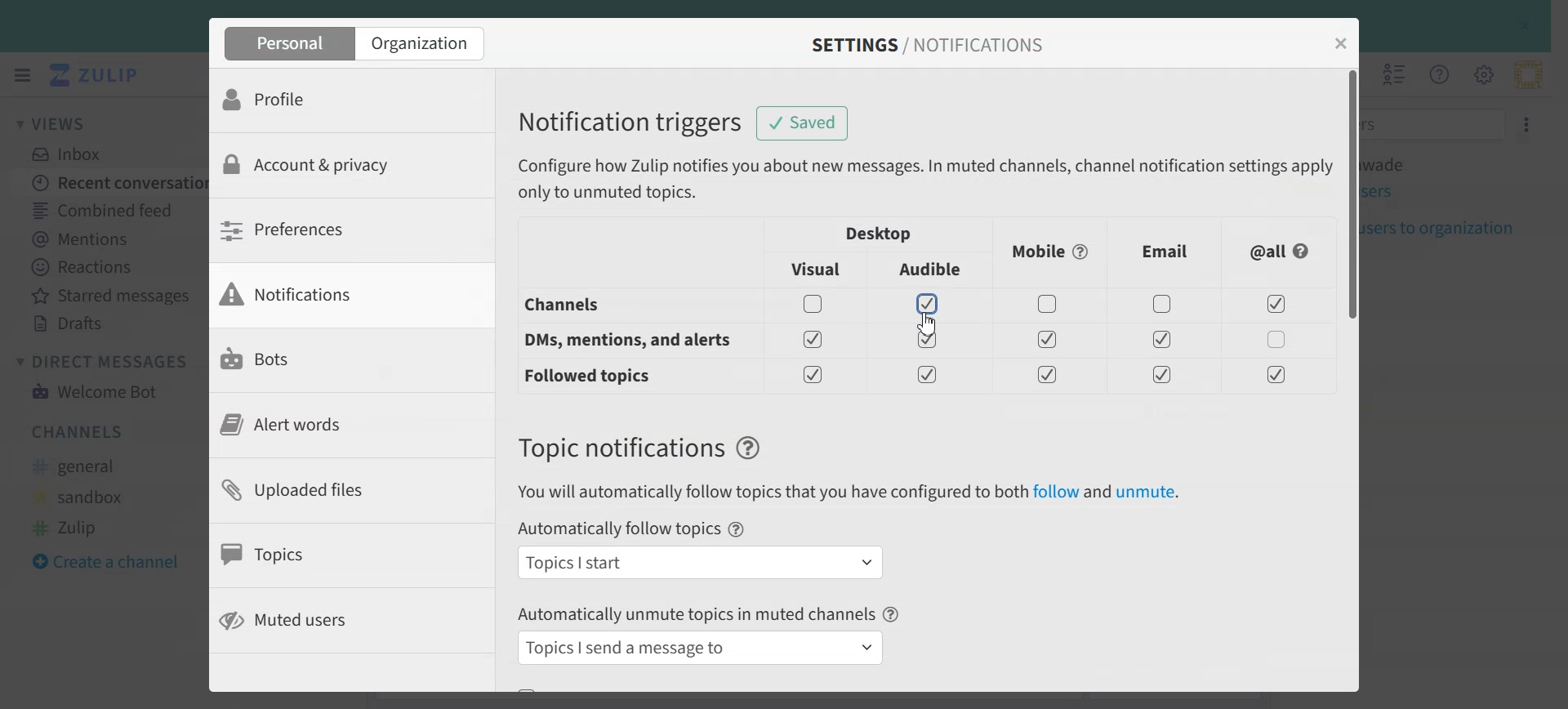  I want to click on Visual, so click(817, 270).